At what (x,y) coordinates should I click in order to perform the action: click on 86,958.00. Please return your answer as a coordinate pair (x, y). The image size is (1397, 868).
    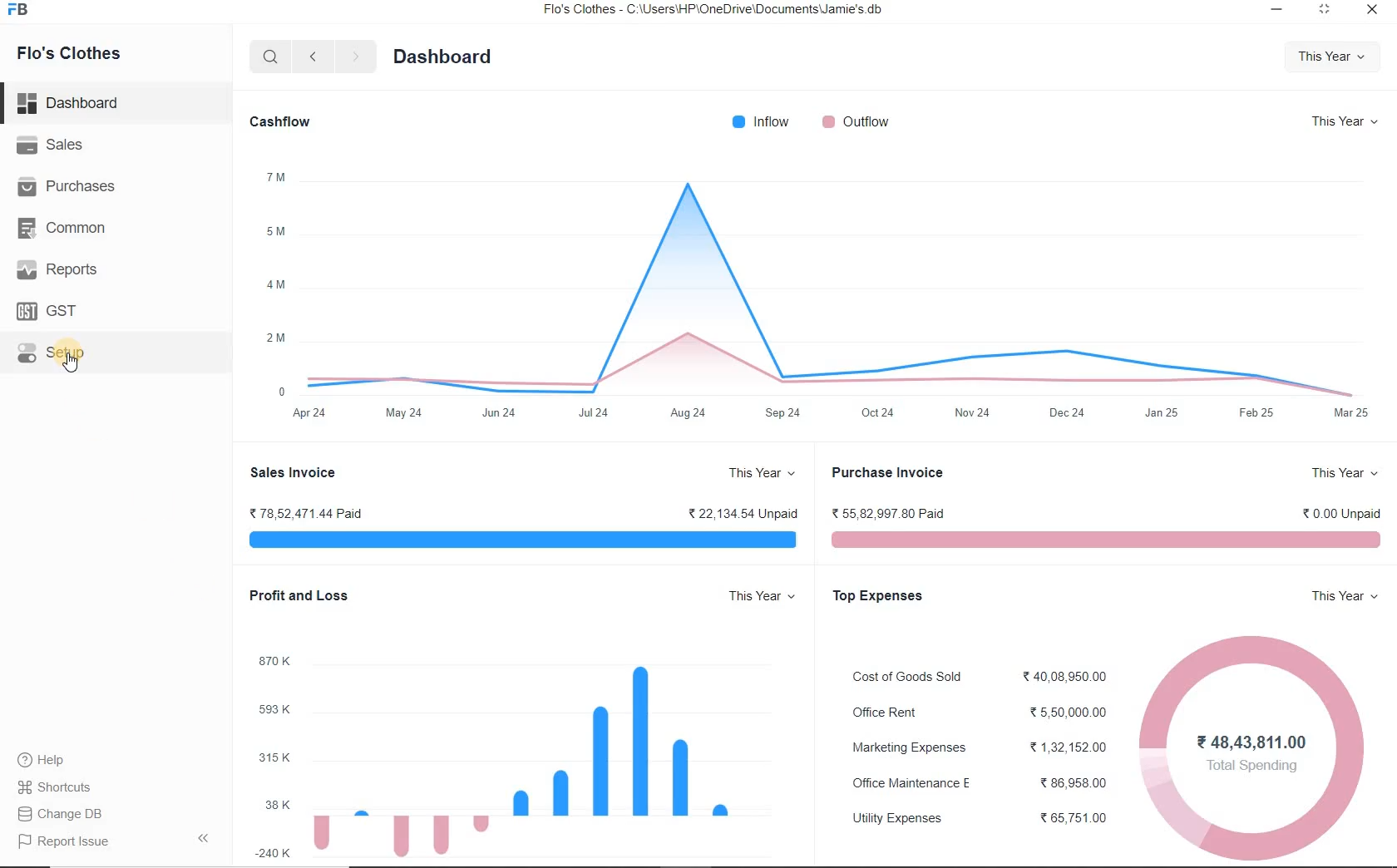
    Looking at the image, I should click on (1070, 785).